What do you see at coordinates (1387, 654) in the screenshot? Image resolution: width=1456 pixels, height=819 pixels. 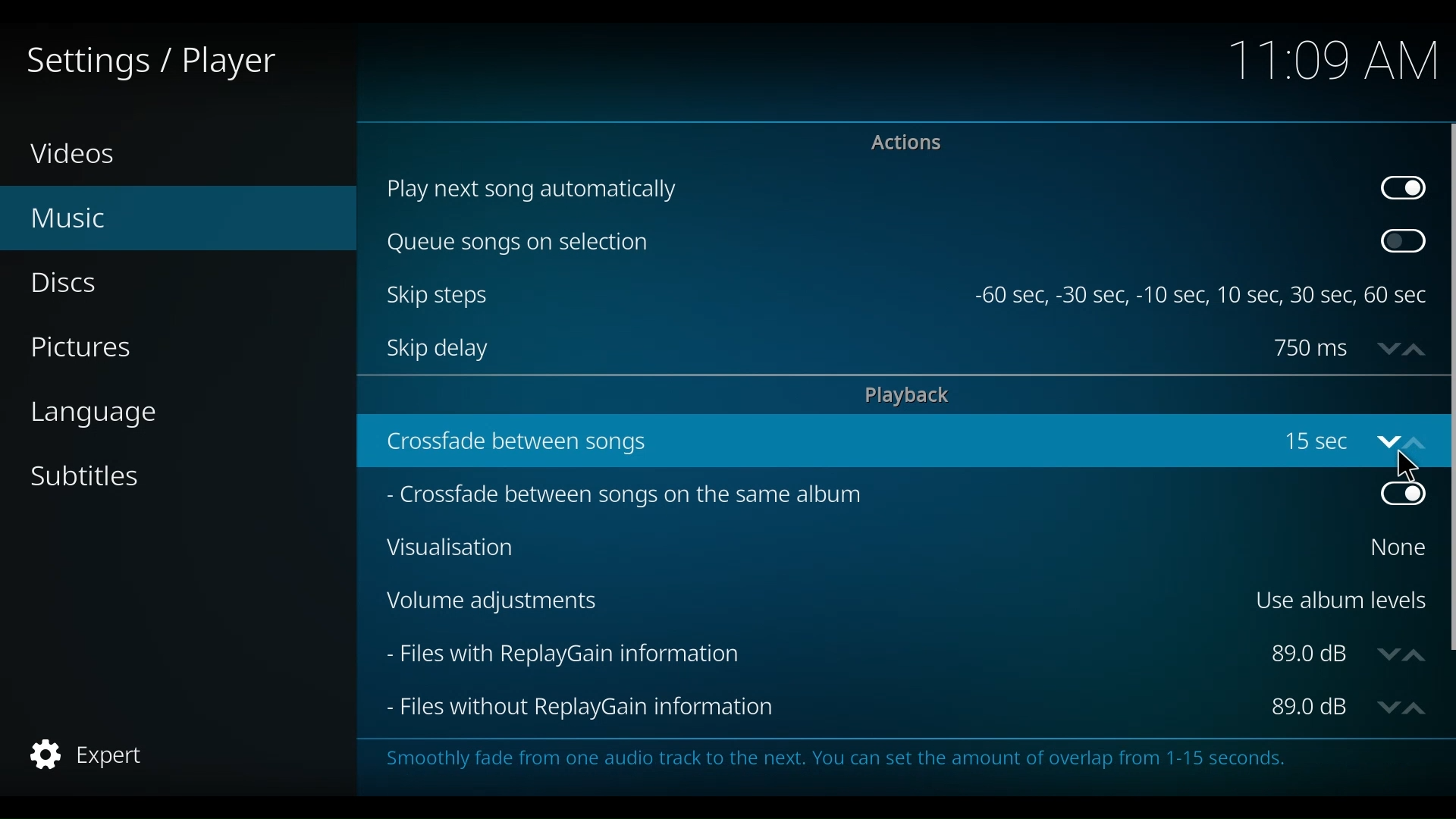 I see `down` at bounding box center [1387, 654].